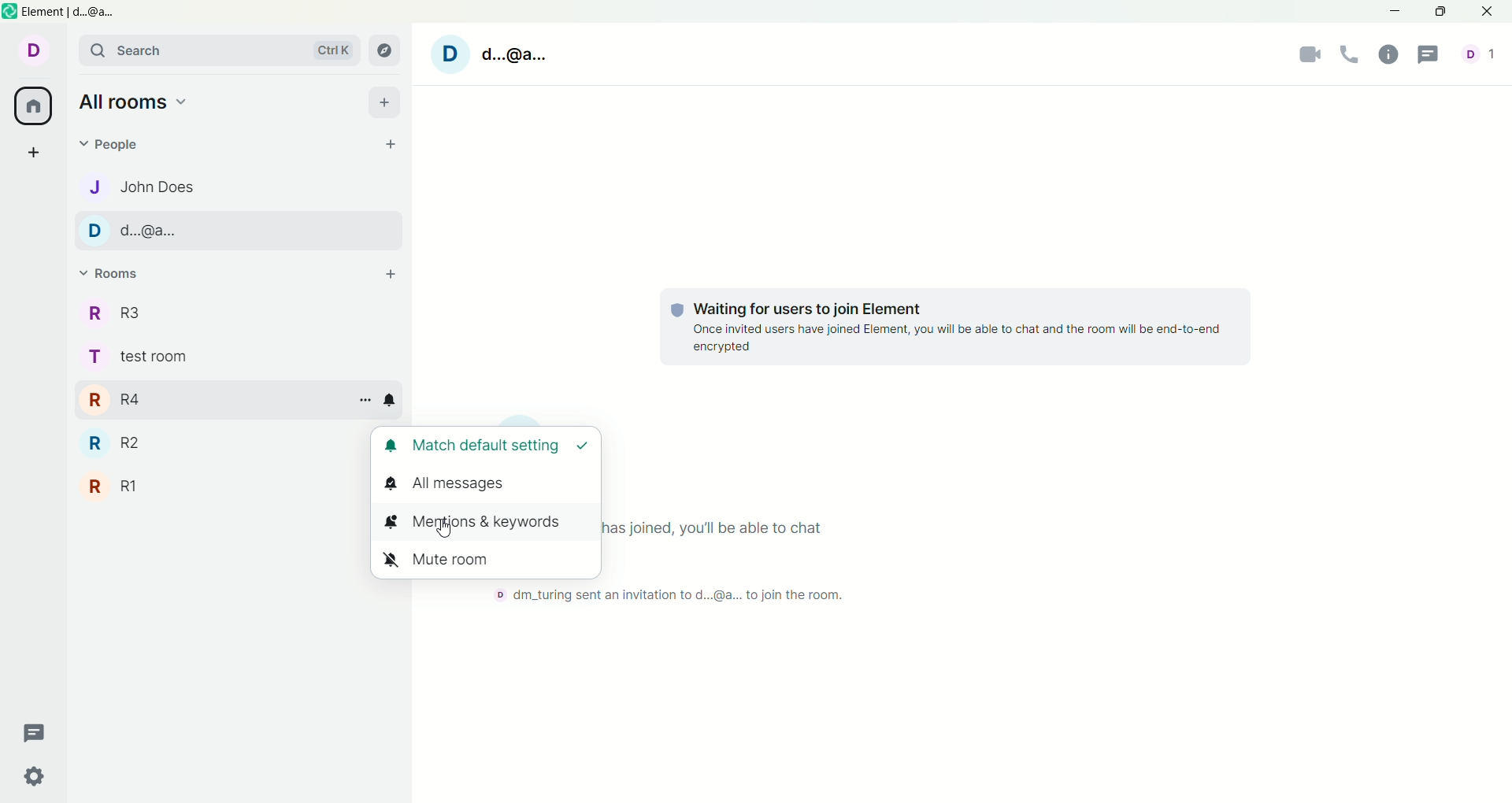 Image resolution: width=1512 pixels, height=803 pixels. What do you see at coordinates (221, 485) in the screenshot?
I see `R1 room` at bounding box center [221, 485].